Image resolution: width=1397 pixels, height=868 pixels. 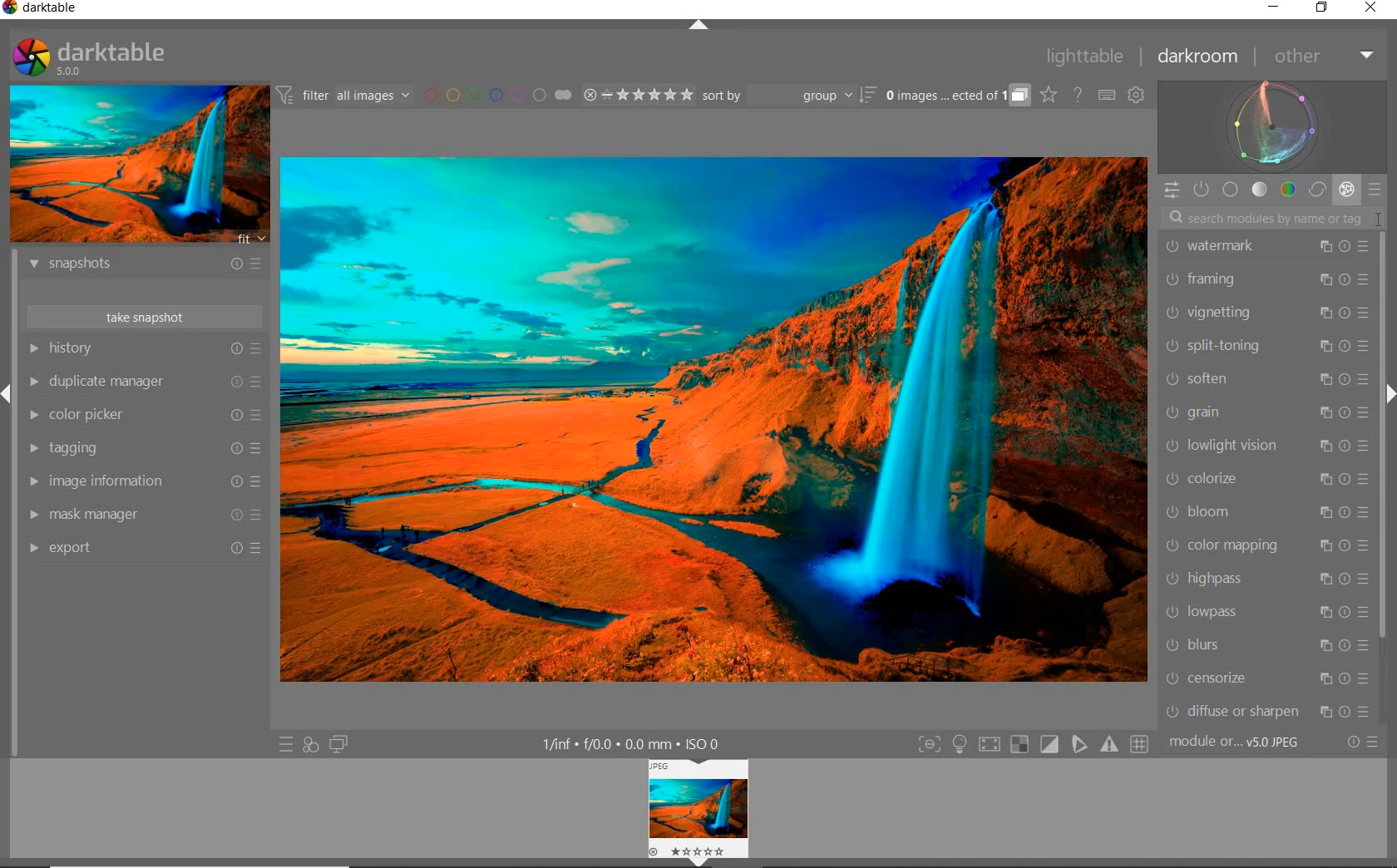 I want to click on HELP ONLINE, so click(x=1078, y=95).